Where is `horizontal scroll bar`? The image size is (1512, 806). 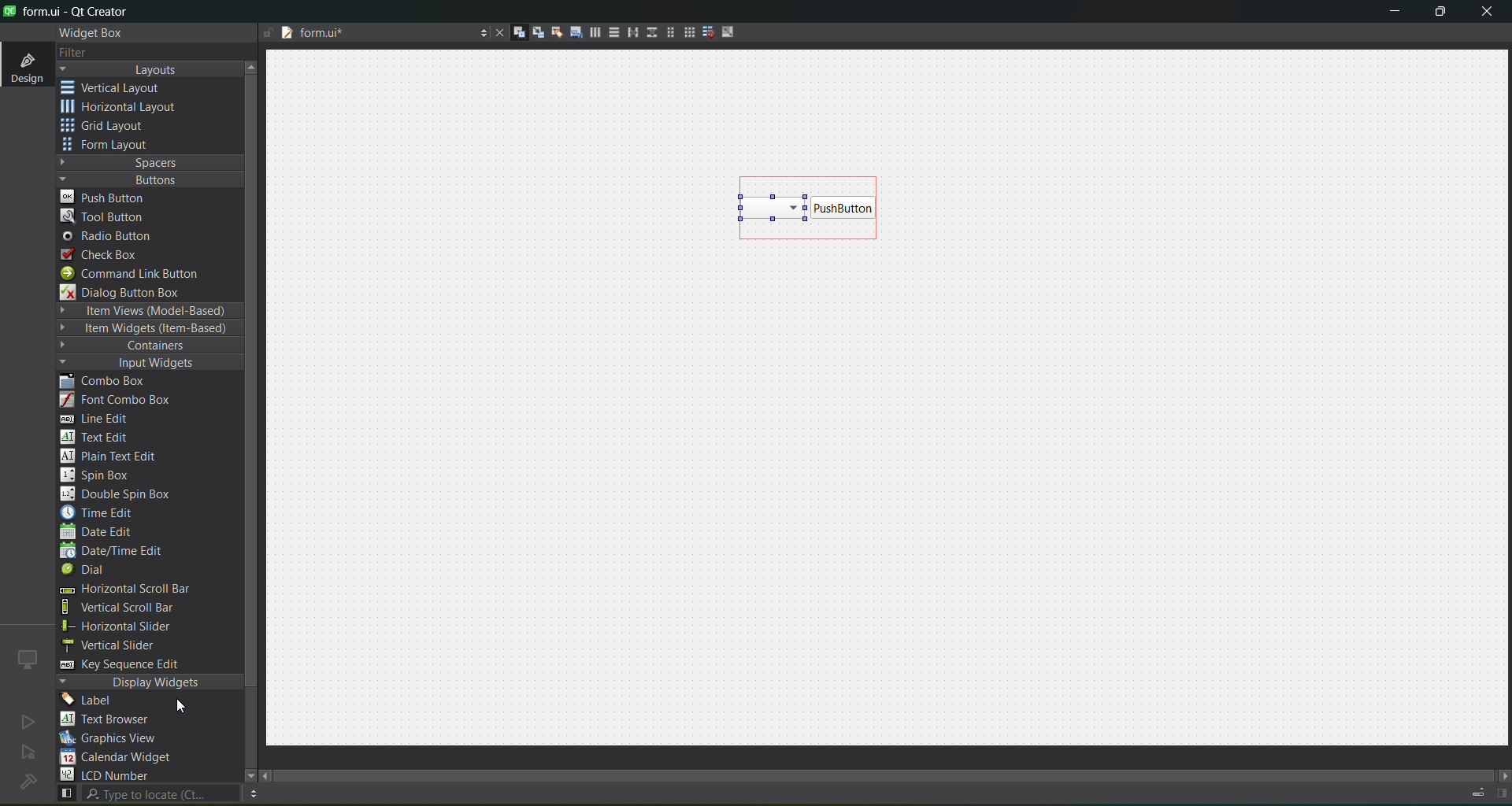 horizontal scroll bar is located at coordinates (124, 590).